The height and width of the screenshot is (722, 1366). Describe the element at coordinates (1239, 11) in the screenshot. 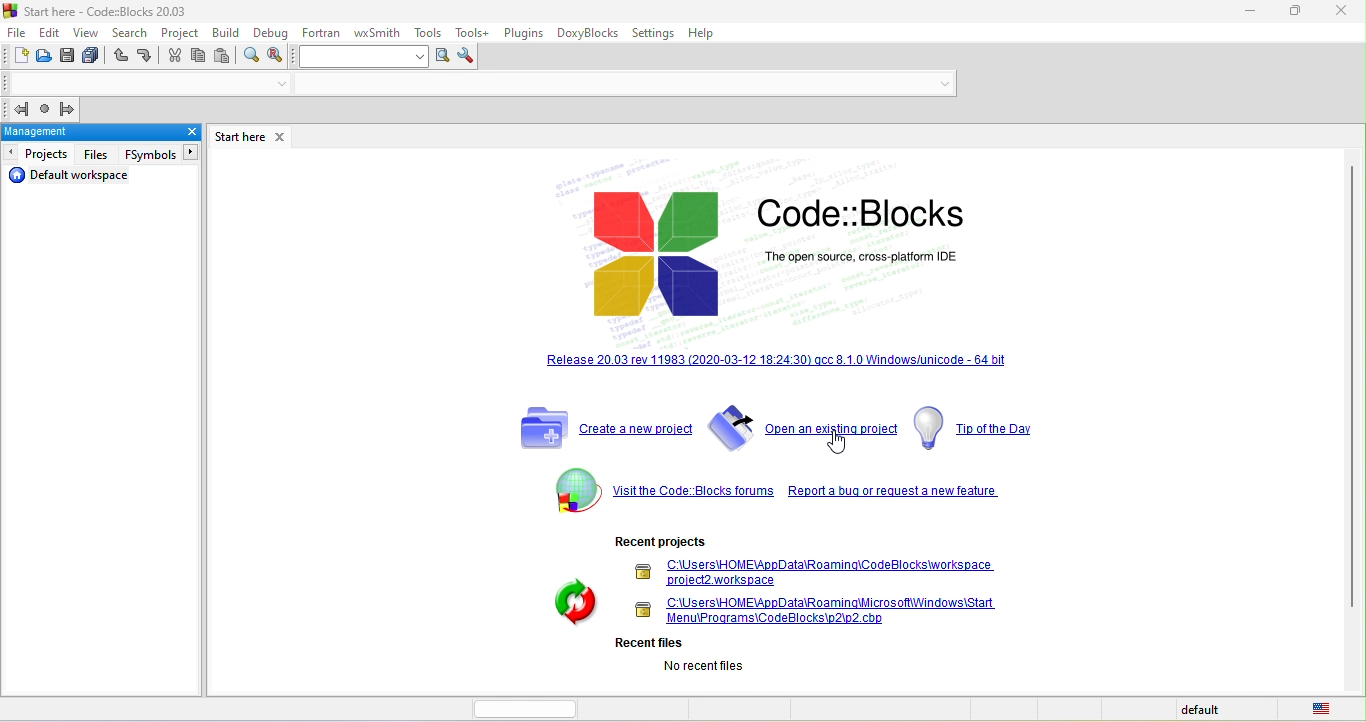

I see `minimize` at that location.